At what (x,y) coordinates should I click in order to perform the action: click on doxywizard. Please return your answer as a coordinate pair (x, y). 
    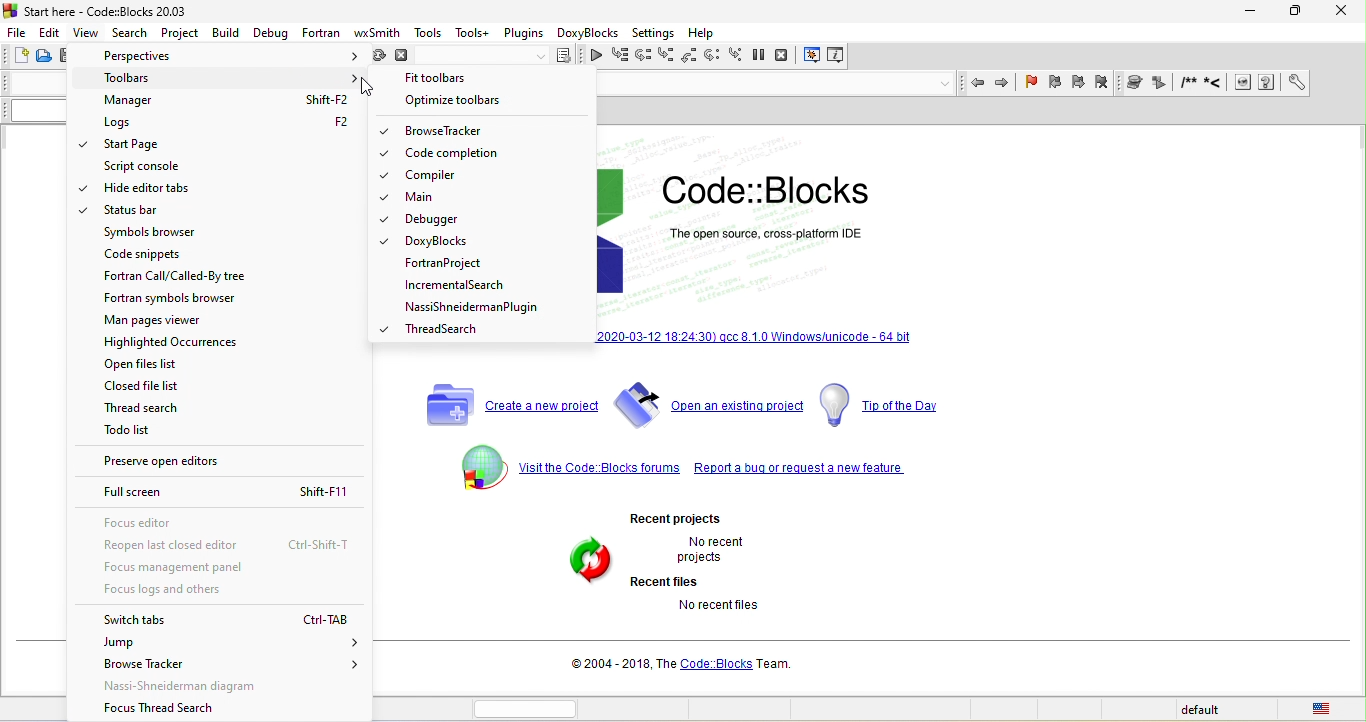
    Looking at the image, I should click on (1136, 81).